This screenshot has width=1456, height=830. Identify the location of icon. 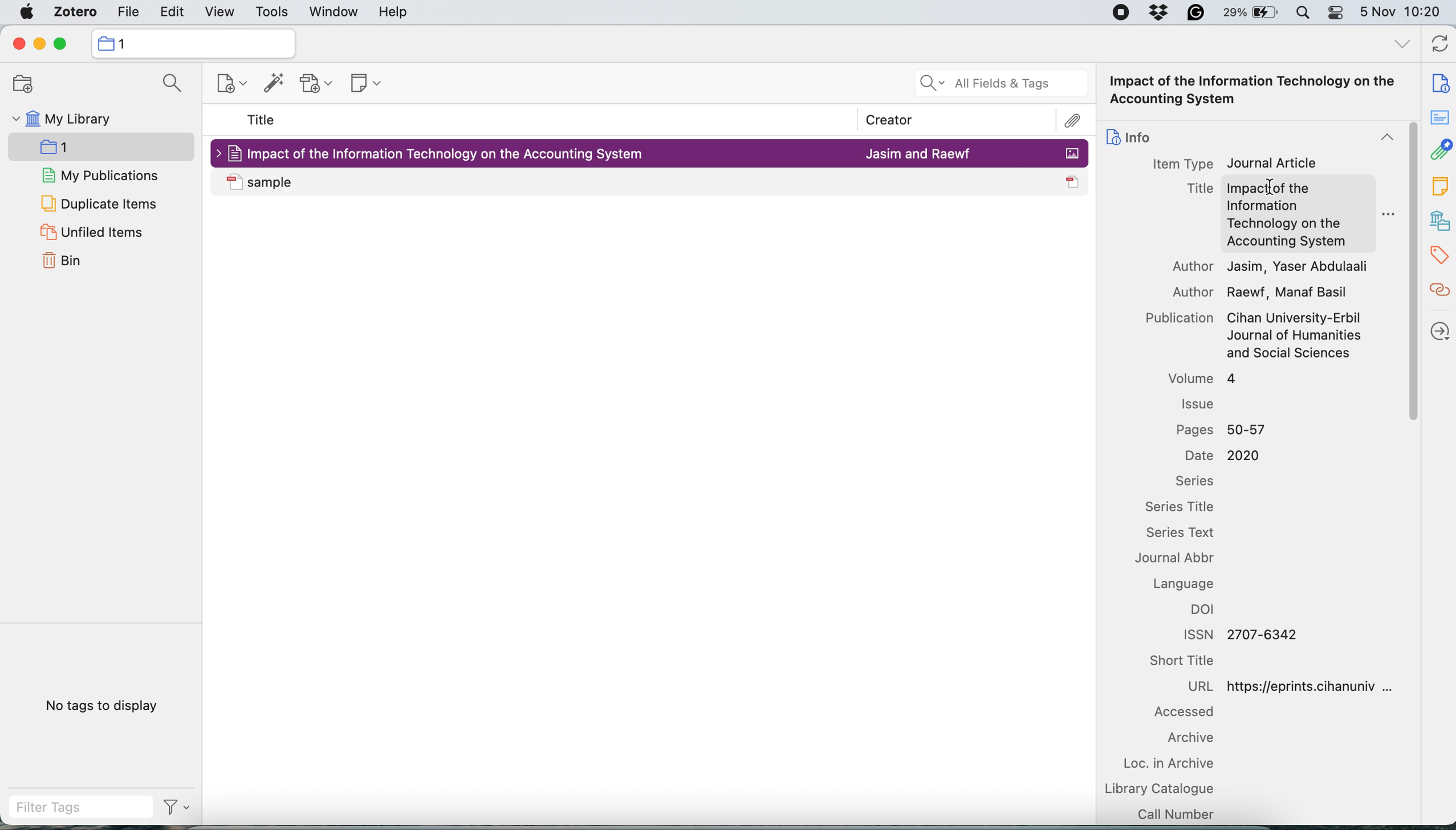
(234, 181).